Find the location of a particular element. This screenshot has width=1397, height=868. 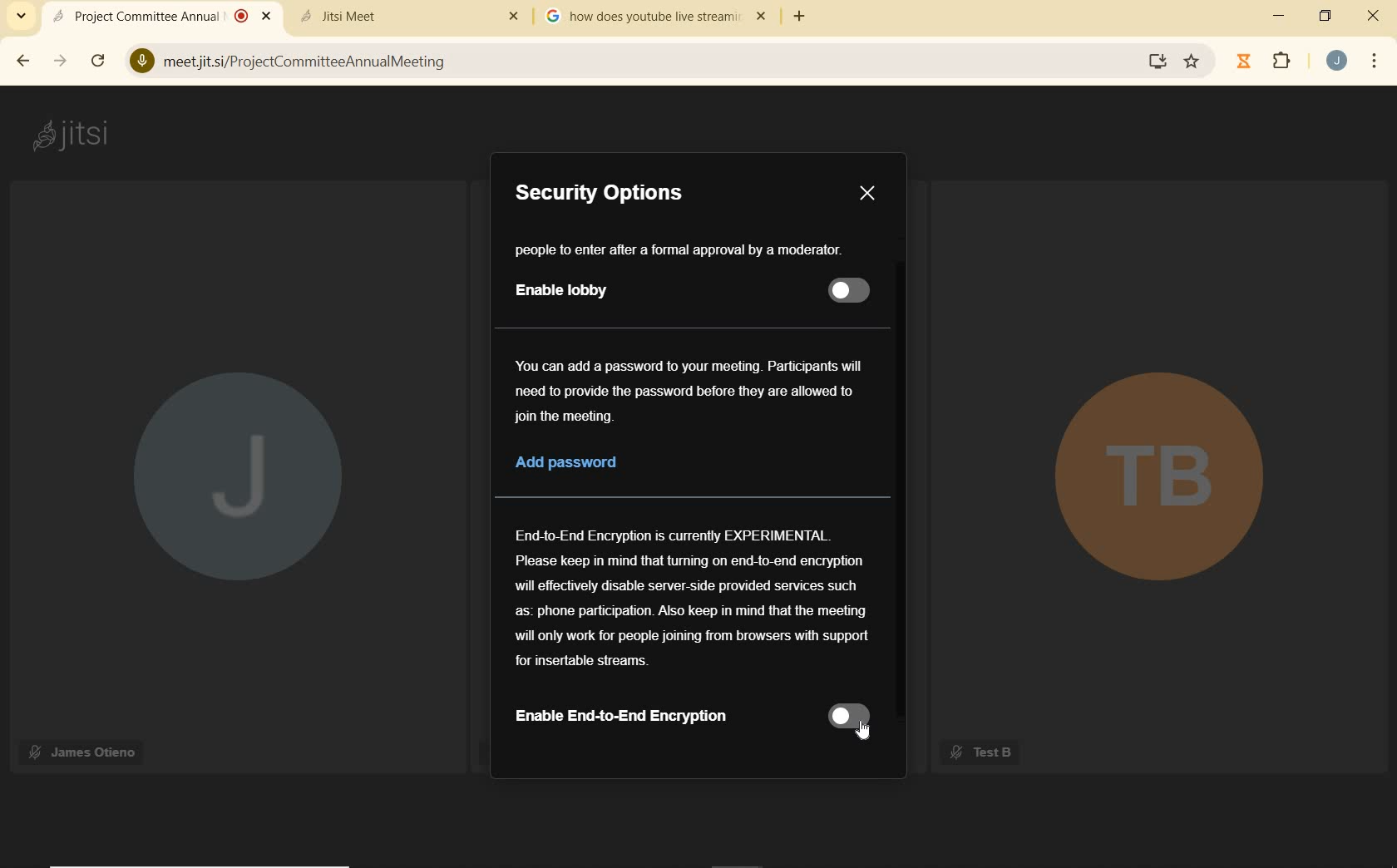

ADD TAB is located at coordinates (797, 17).